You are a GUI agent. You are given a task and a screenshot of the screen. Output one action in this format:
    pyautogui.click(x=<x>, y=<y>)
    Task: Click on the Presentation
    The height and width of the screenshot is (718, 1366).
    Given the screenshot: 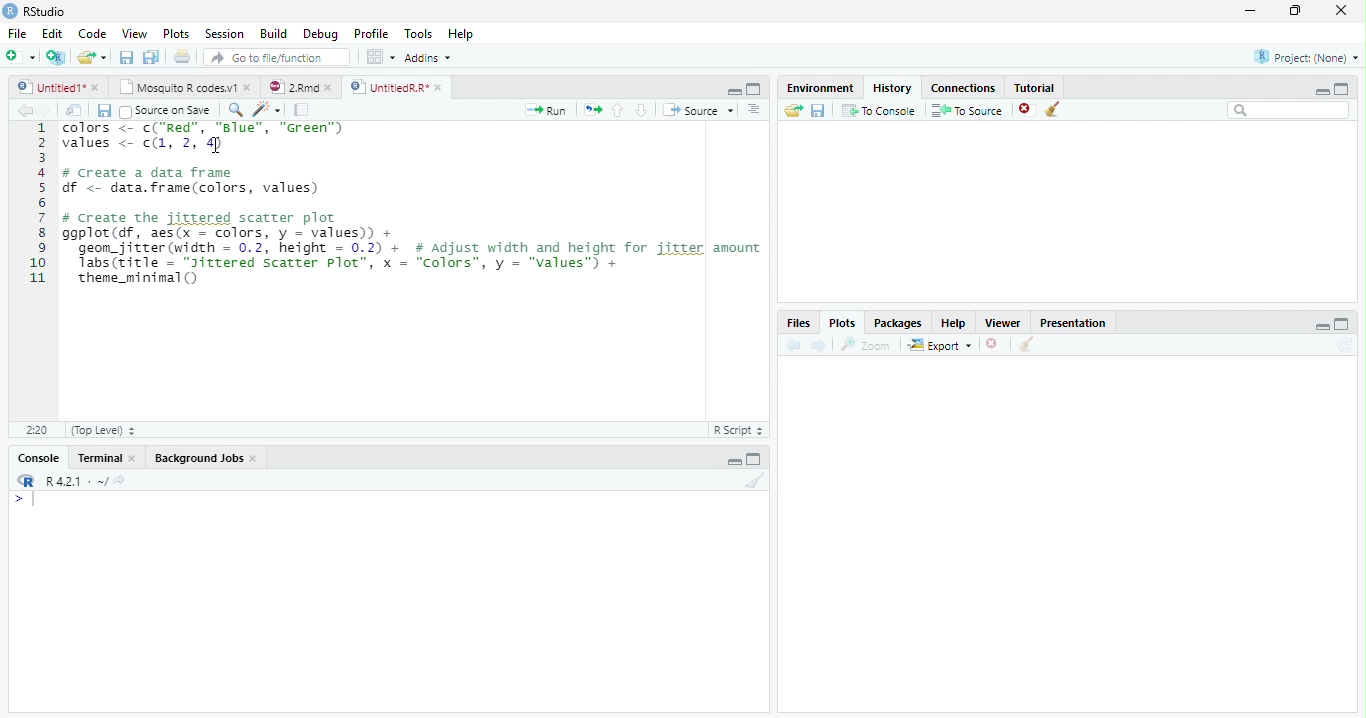 What is the action you would take?
    pyautogui.click(x=1072, y=322)
    